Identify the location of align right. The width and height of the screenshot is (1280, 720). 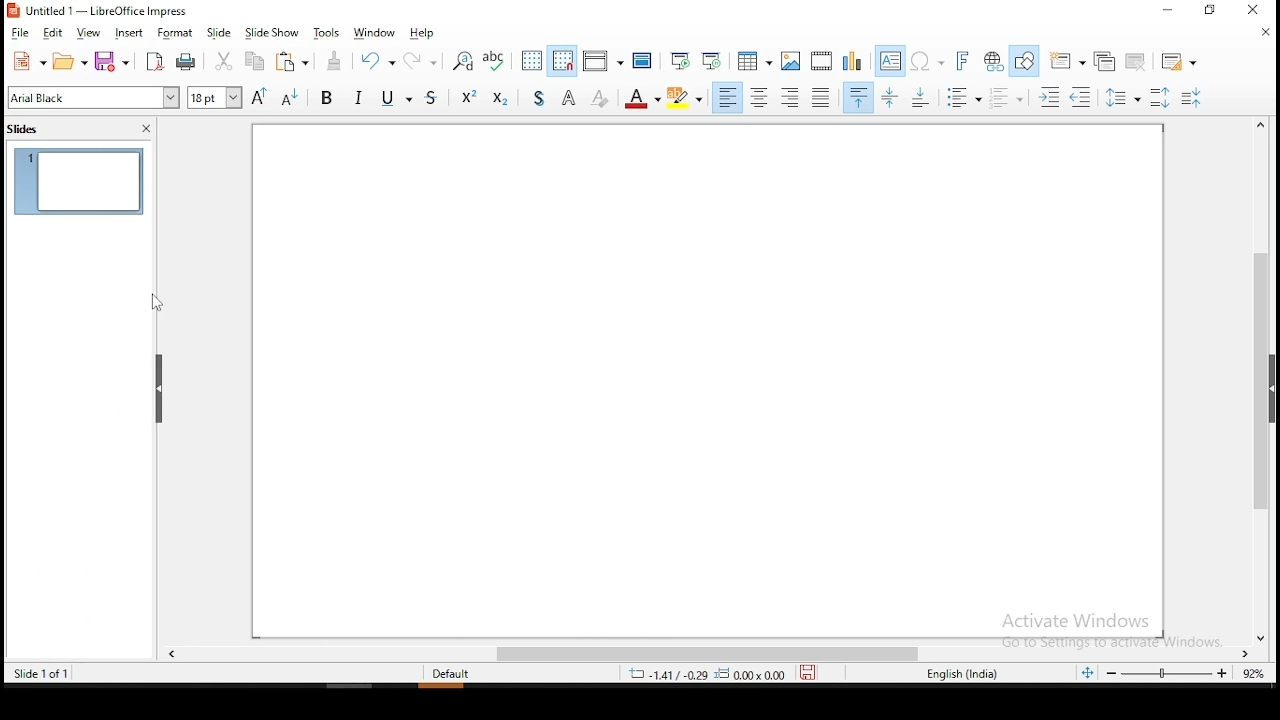
(791, 97).